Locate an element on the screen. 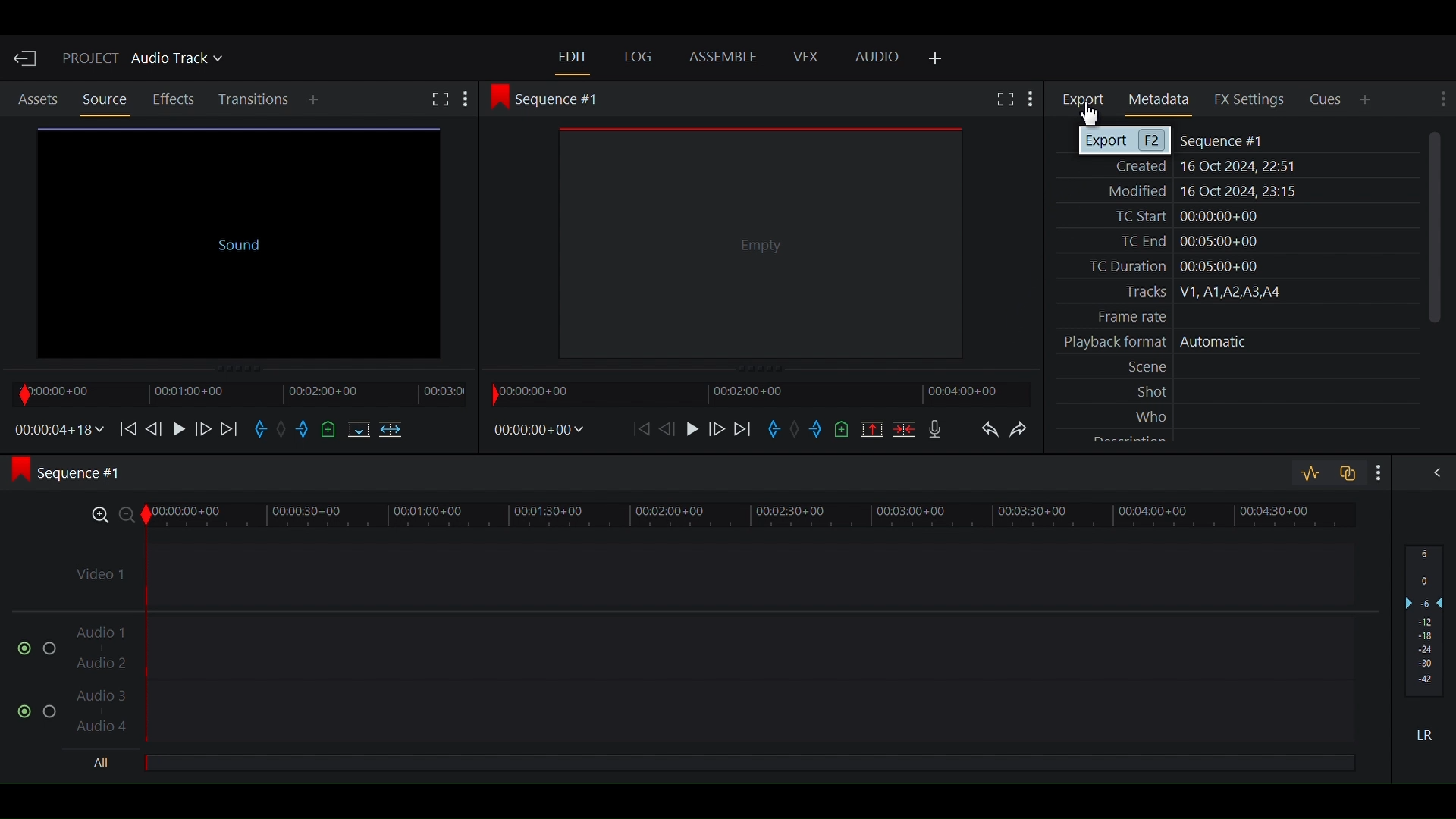  Log is located at coordinates (639, 57).